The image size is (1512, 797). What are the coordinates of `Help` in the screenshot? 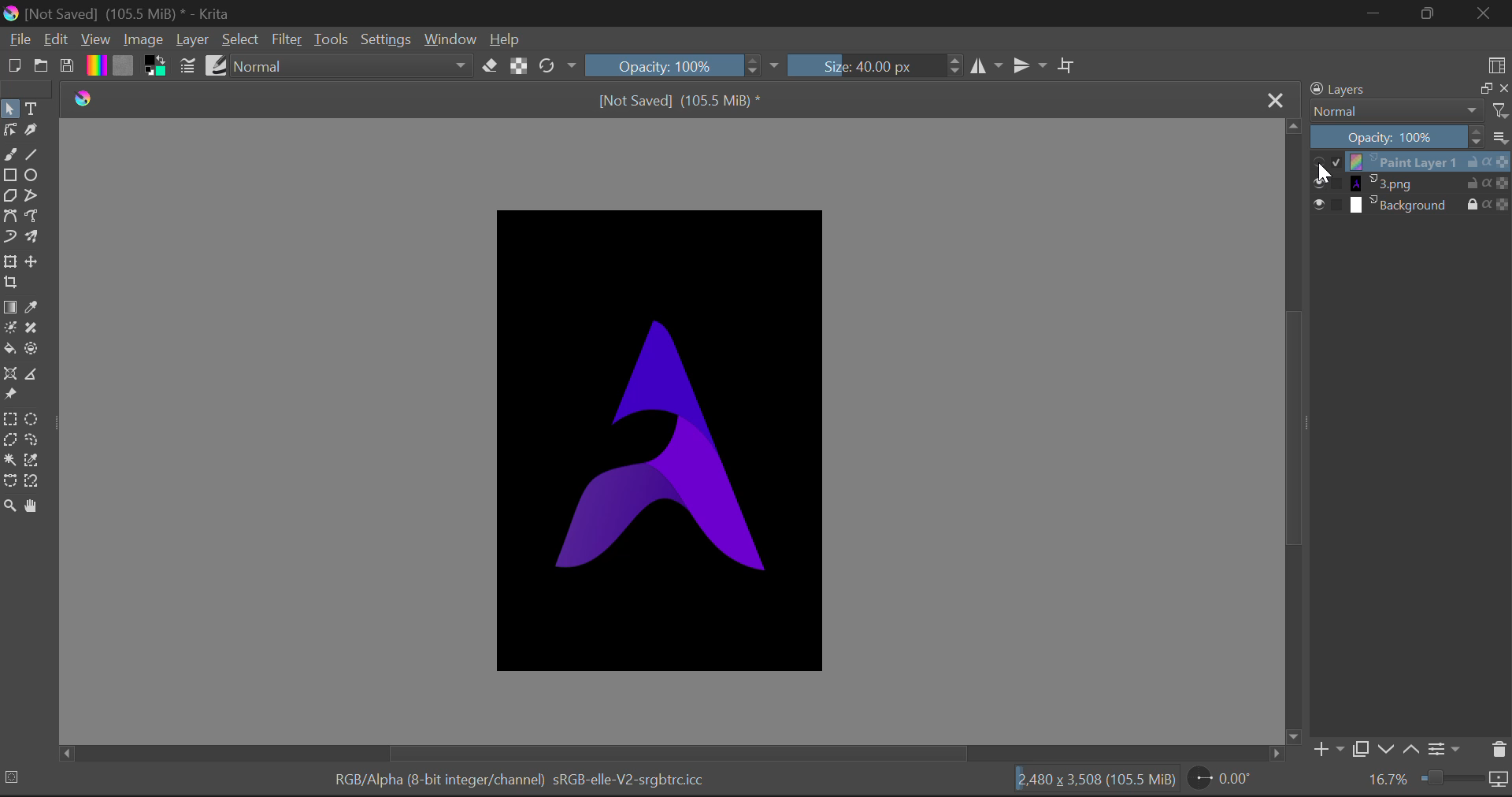 It's located at (506, 40).